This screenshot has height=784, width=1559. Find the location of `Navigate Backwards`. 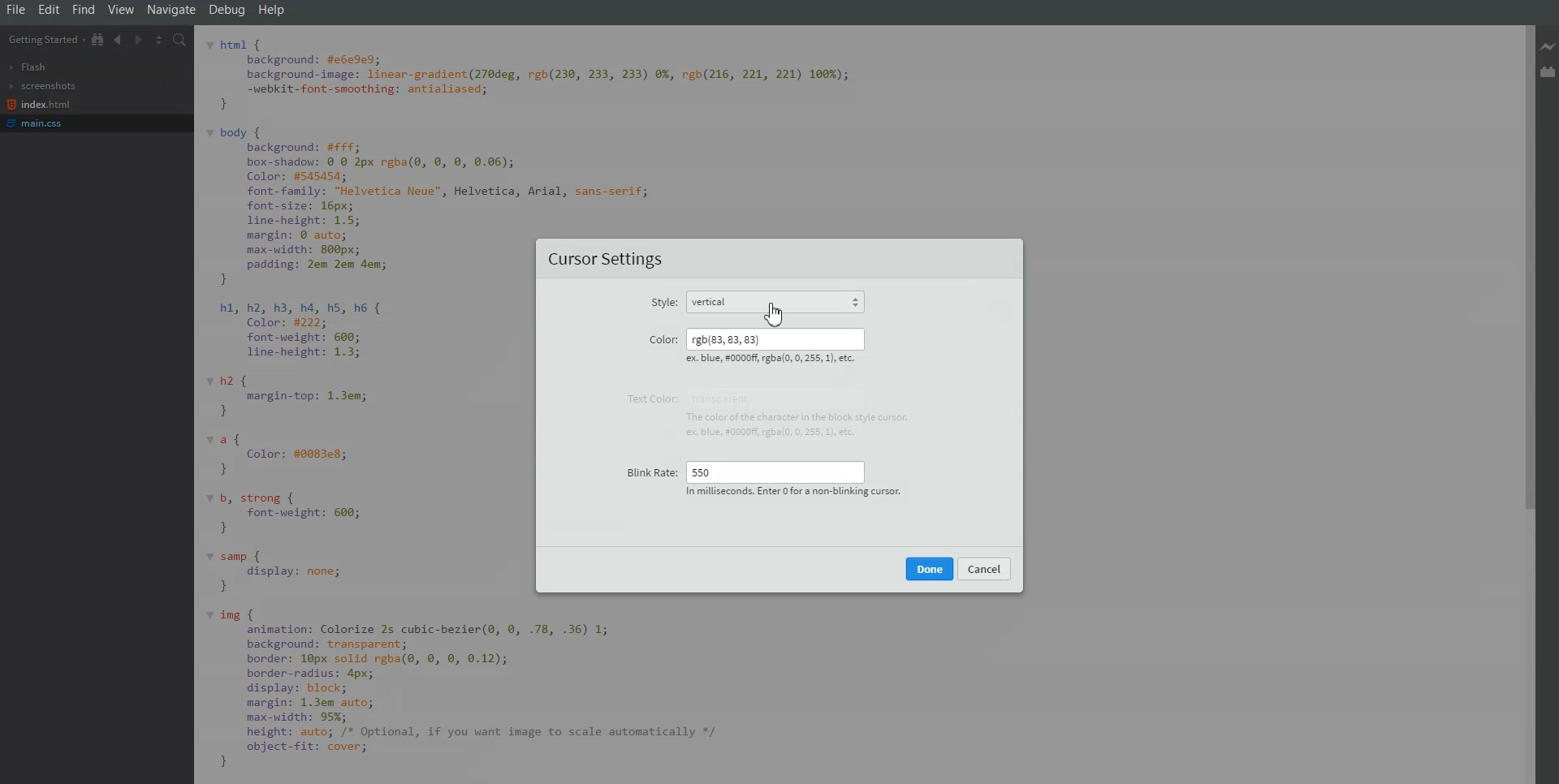

Navigate Backwards is located at coordinates (119, 39).